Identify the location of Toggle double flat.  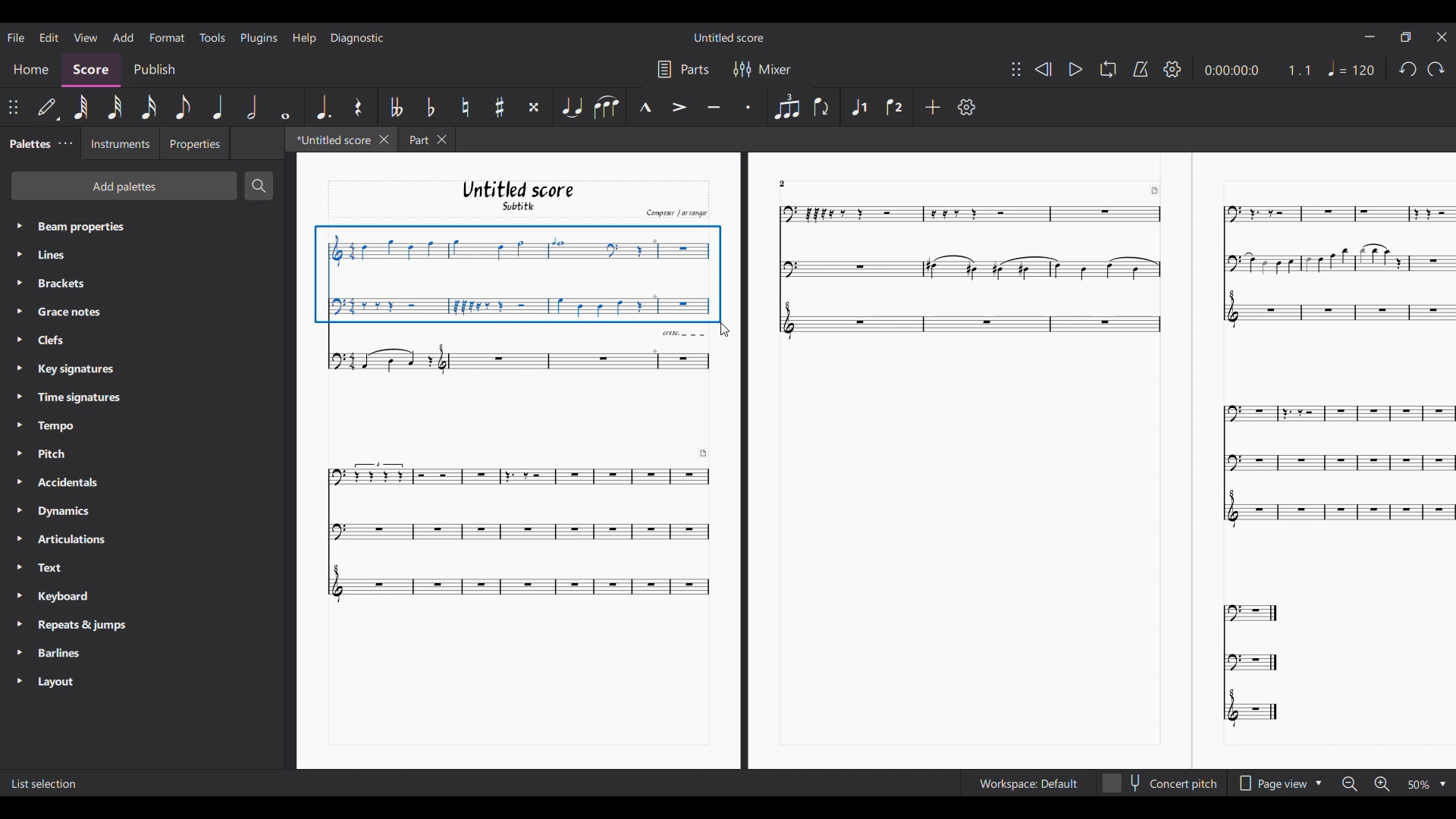
(397, 106).